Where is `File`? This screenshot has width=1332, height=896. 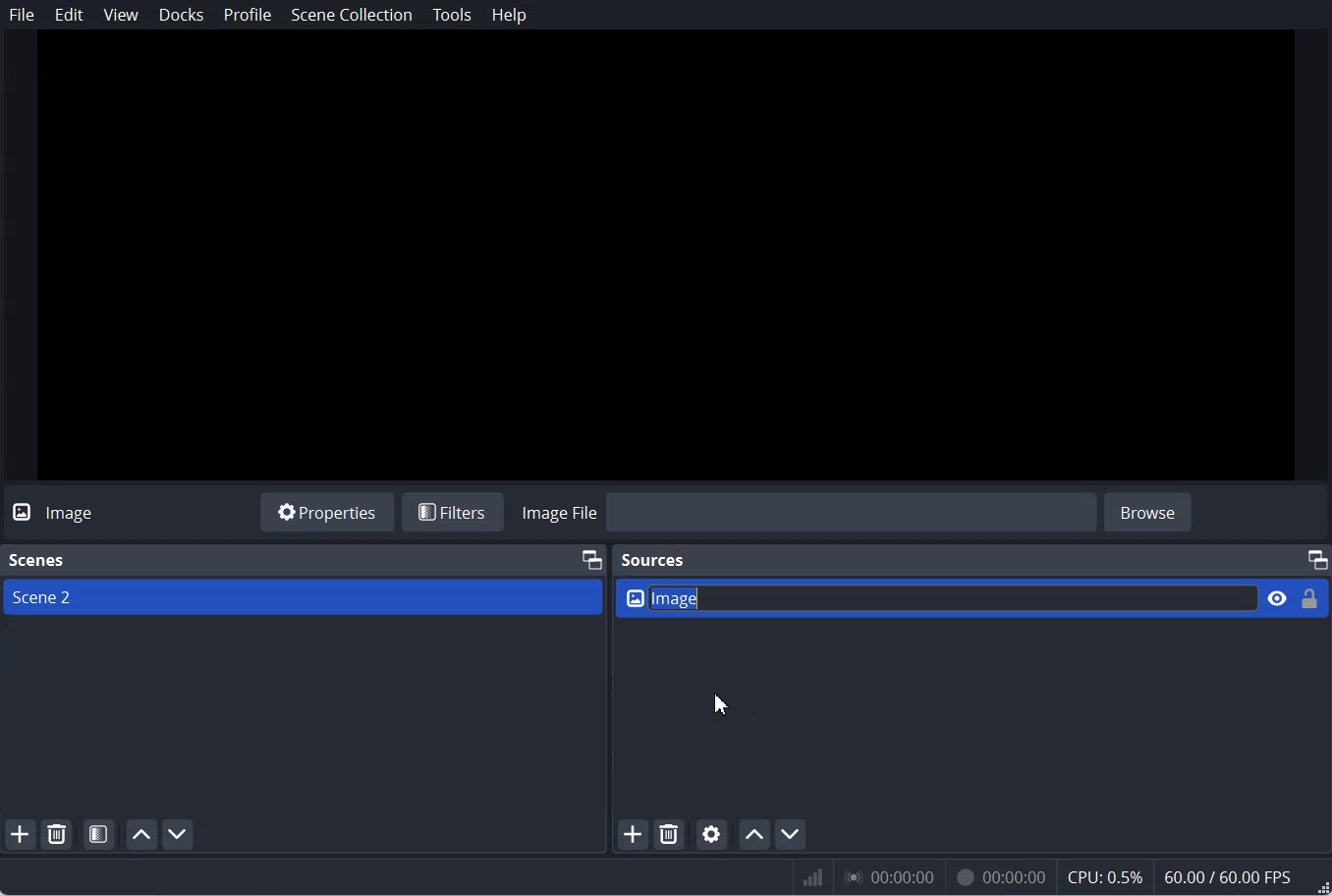 File is located at coordinates (22, 15).